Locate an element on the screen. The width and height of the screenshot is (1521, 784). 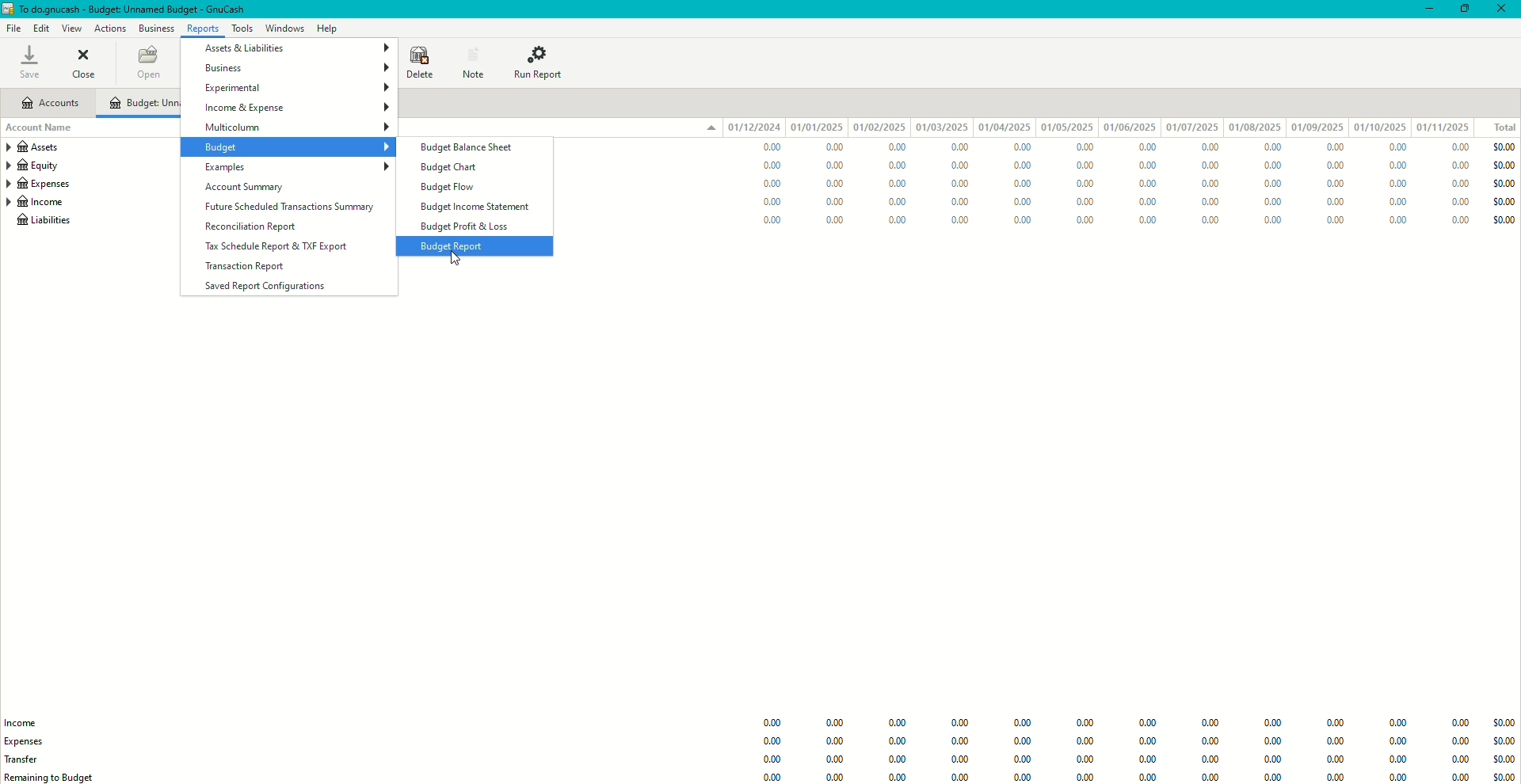
Close is located at coordinates (83, 63).